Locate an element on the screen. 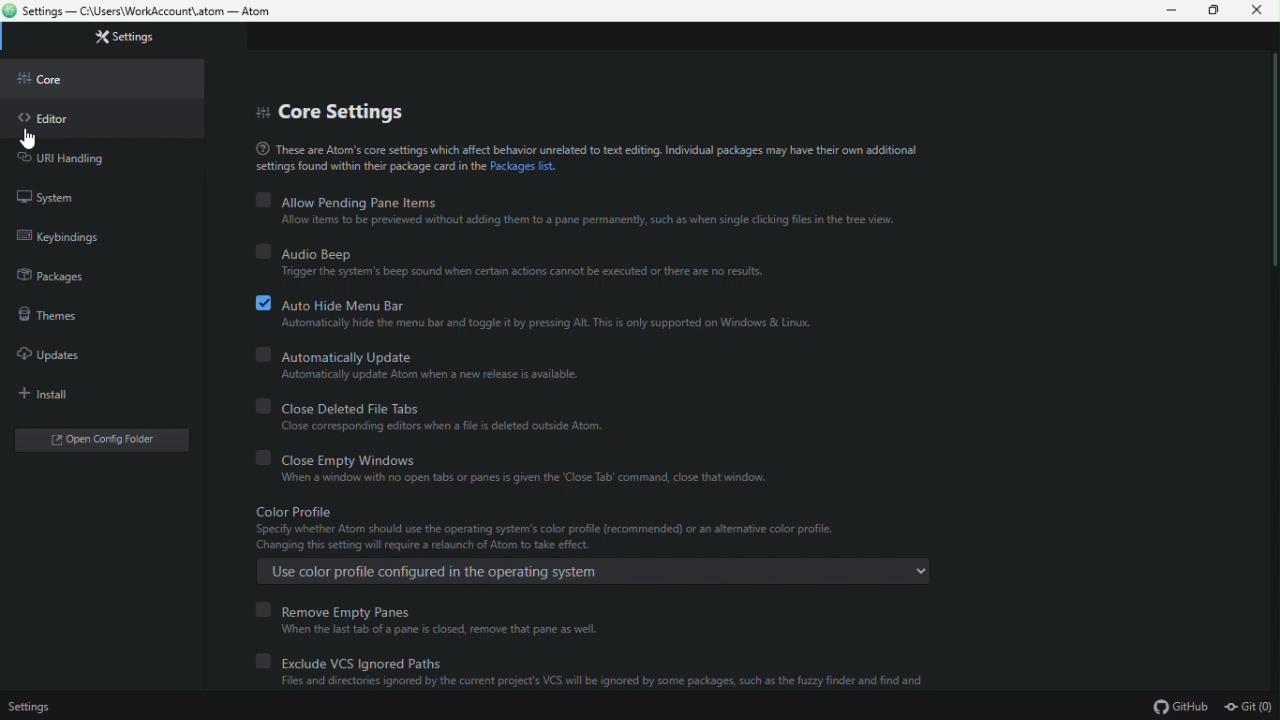 Image resolution: width=1280 pixels, height=720 pixels. Key winding is located at coordinates (72, 240).